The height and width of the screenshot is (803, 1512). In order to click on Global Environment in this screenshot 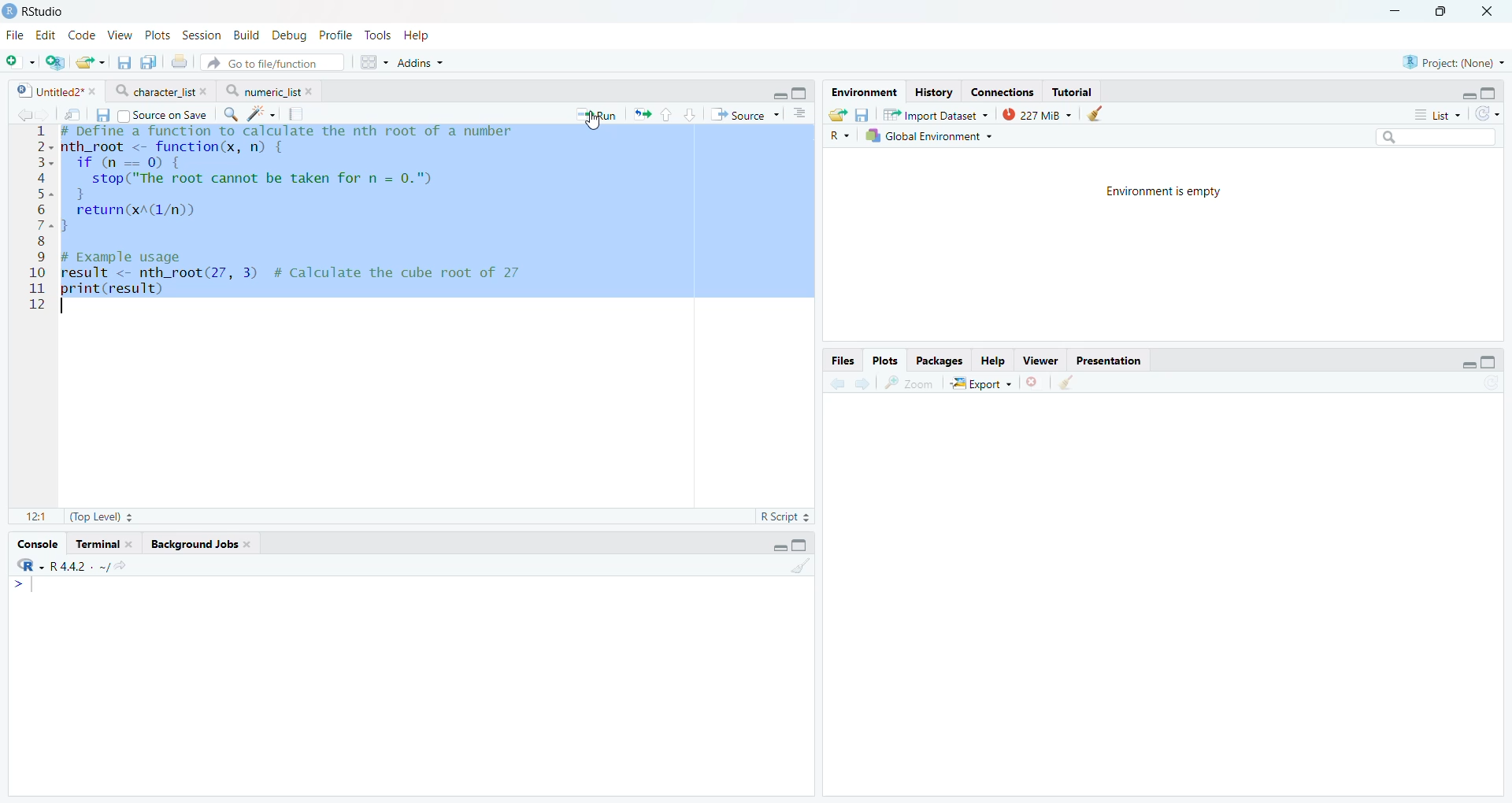, I will do `click(929, 135)`.